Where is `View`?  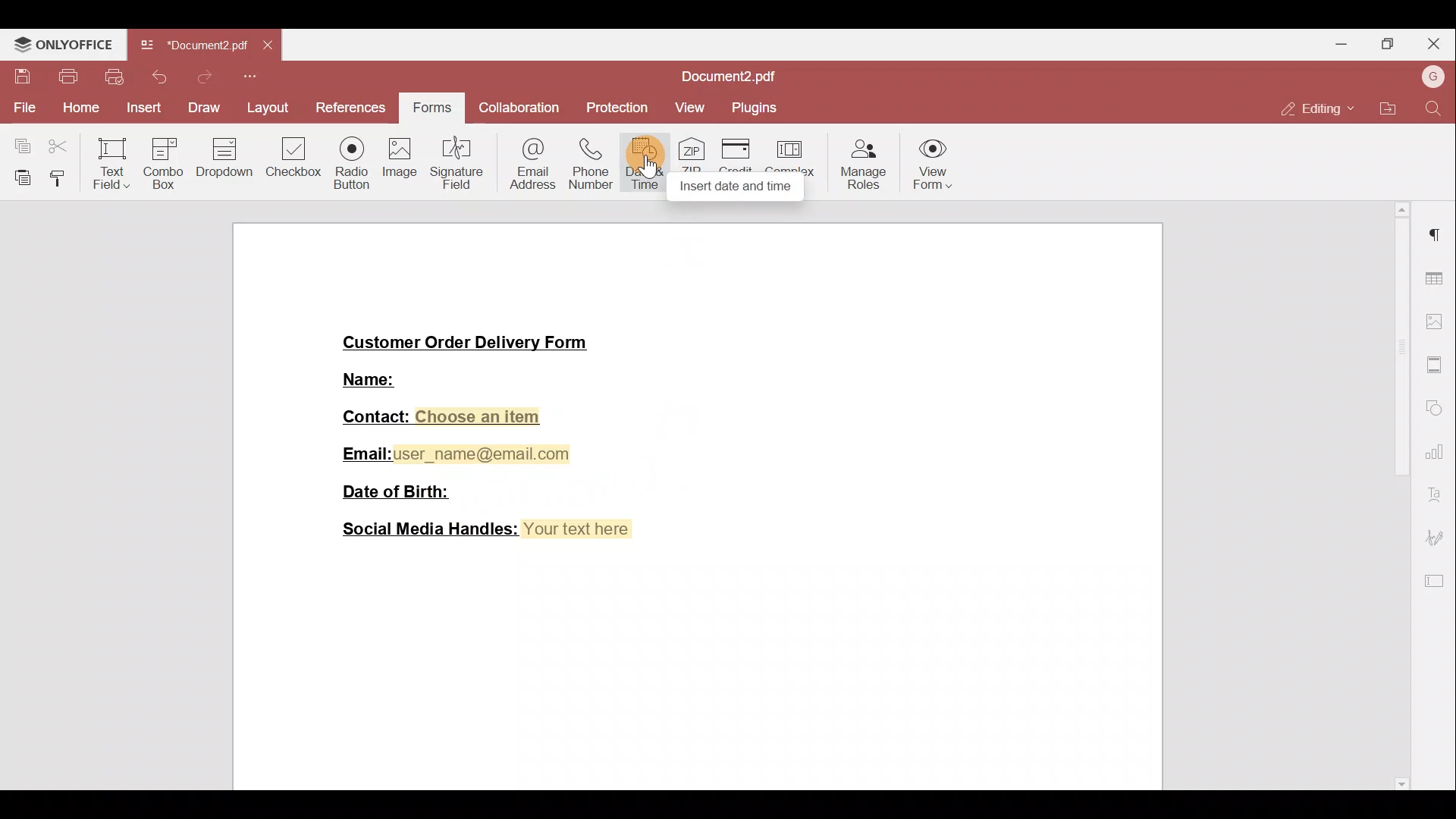 View is located at coordinates (695, 105).